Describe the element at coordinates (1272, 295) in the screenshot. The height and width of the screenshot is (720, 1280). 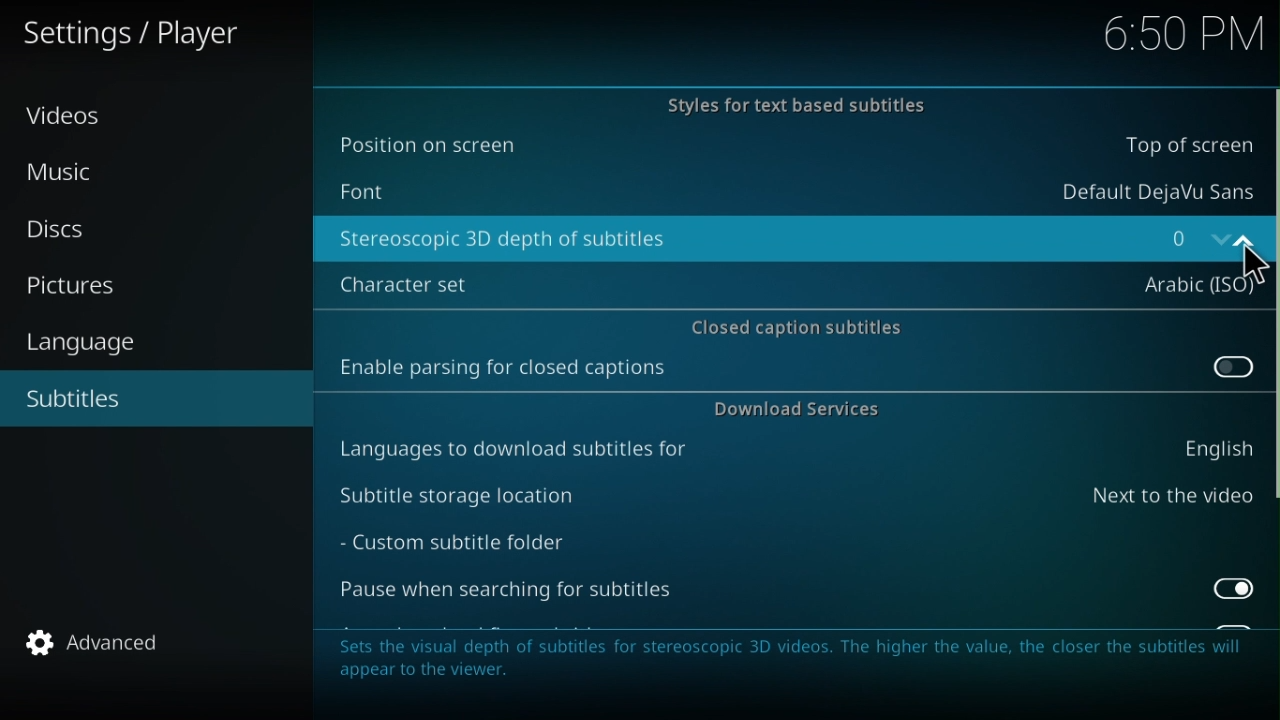
I see `Horizontally scroll` at that location.